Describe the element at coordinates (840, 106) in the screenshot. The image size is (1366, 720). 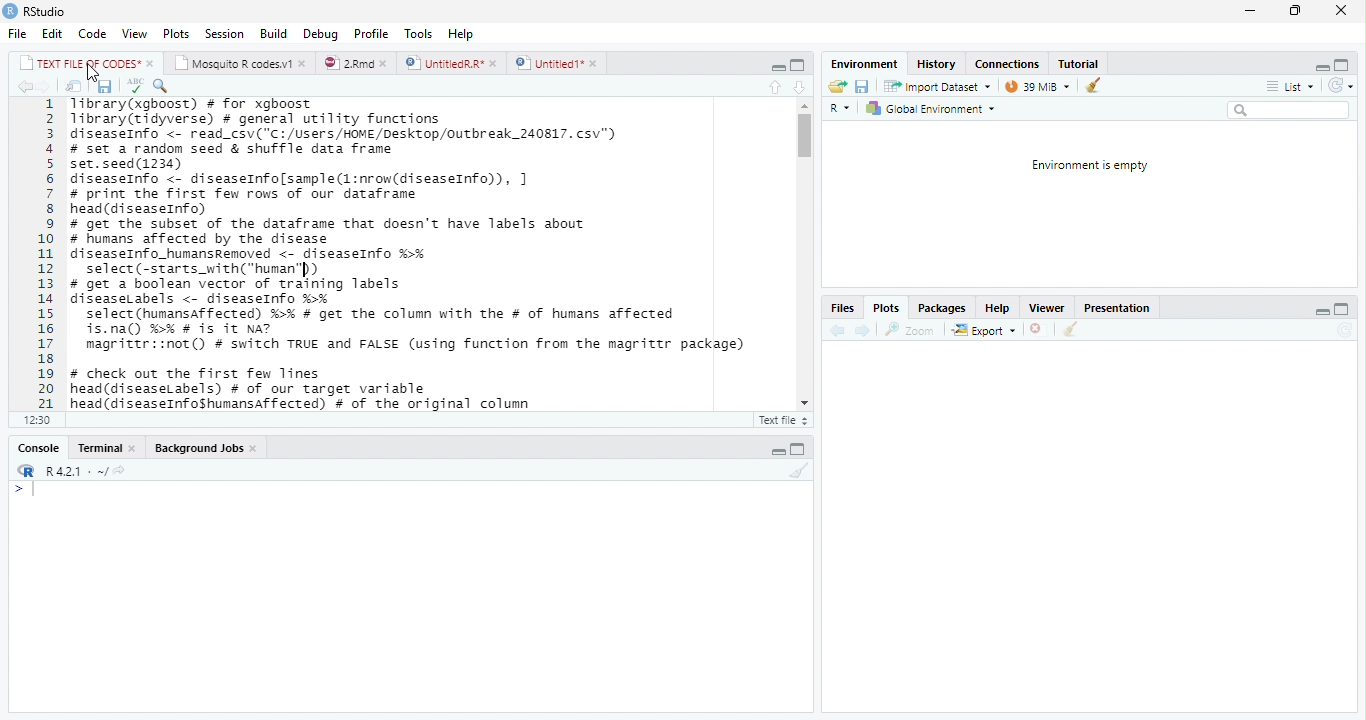
I see `R` at that location.